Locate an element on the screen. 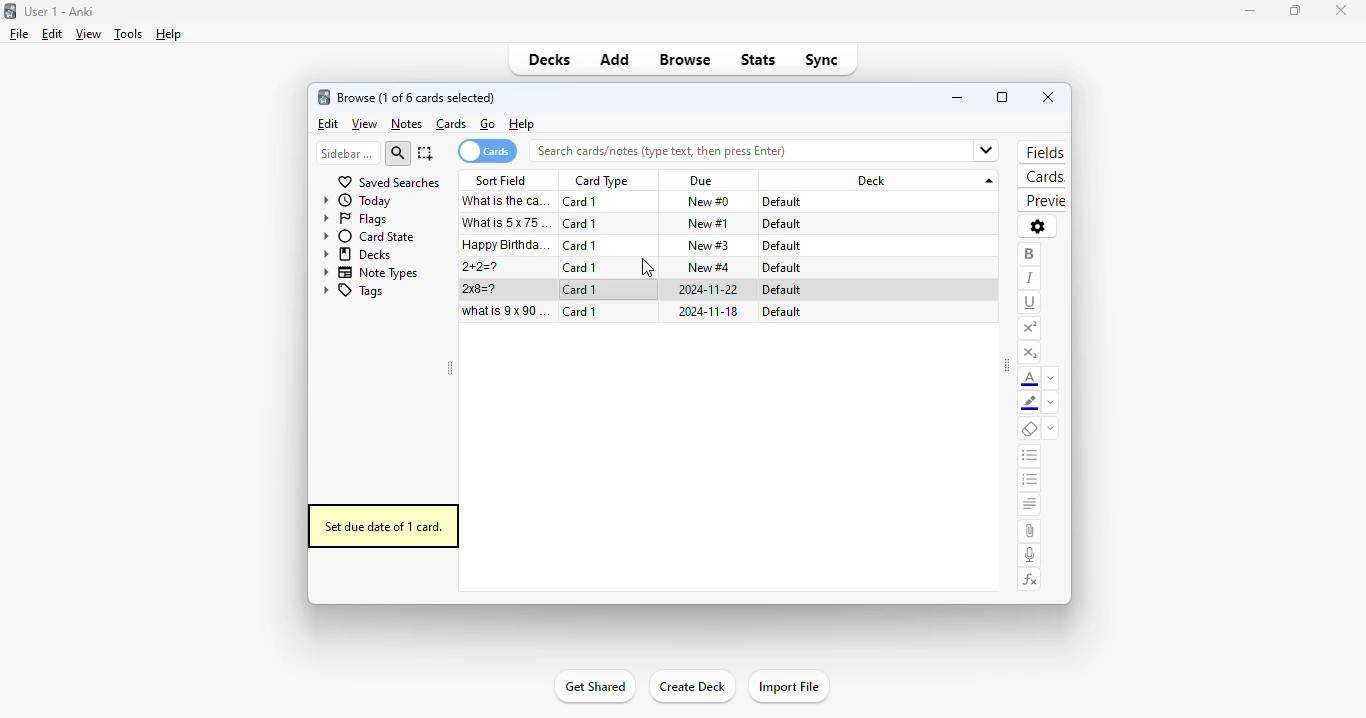  change color is located at coordinates (1051, 378).